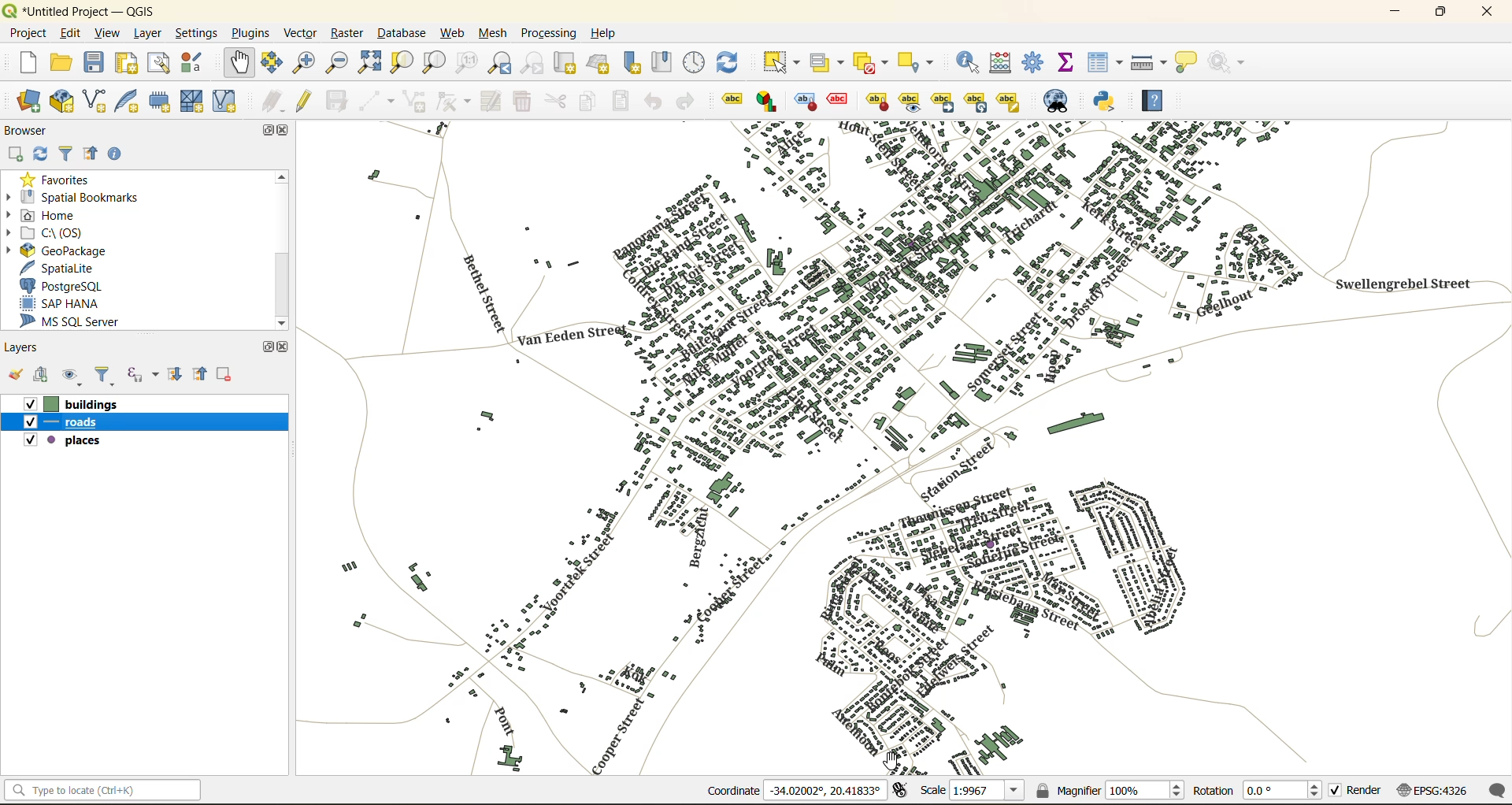  What do you see at coordinates (524, 102) in the screenshot?
I see `delete` at bounding box center [524, 102].